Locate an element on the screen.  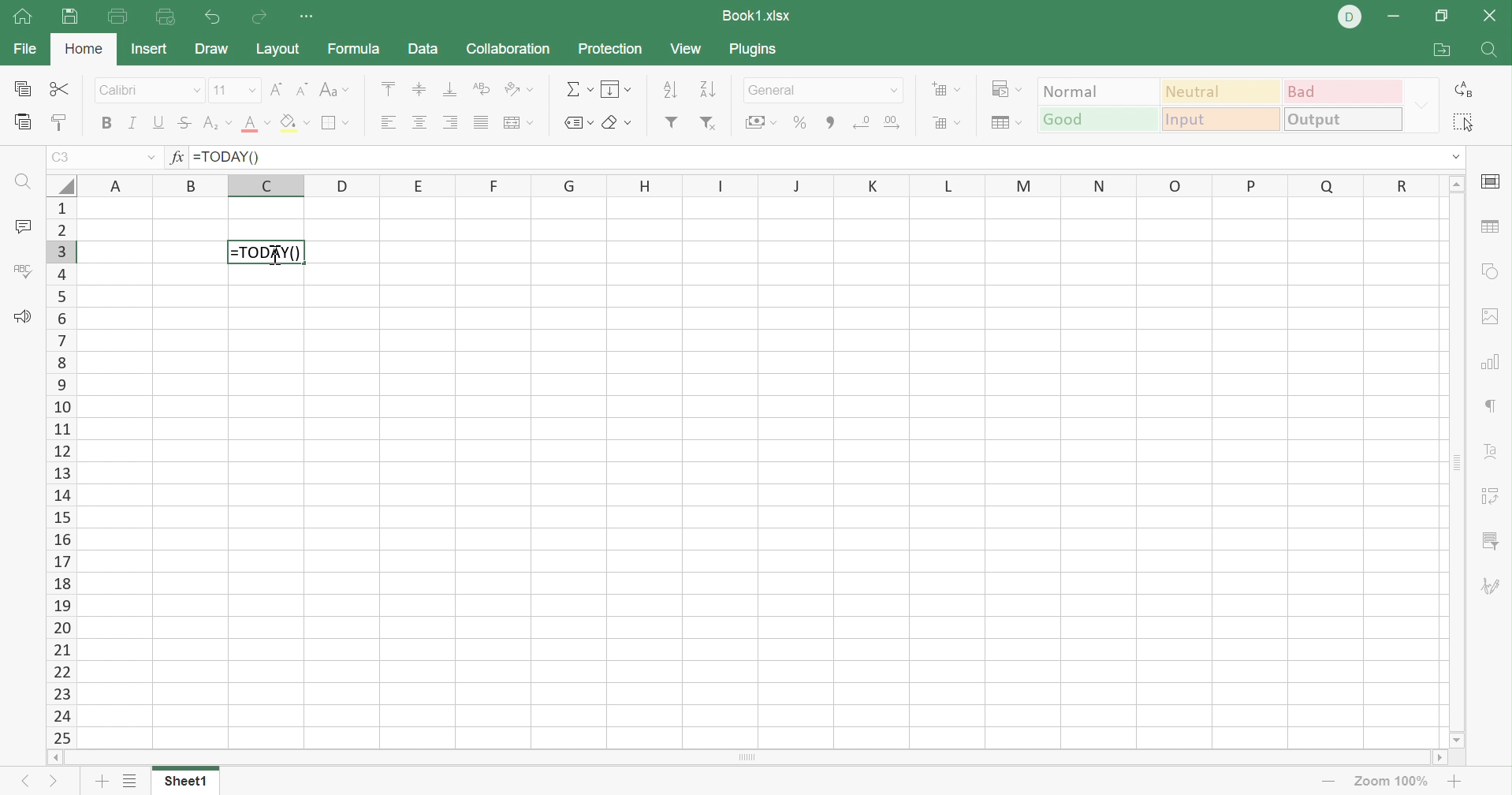
Orientation is located at coordinates (519, 88).